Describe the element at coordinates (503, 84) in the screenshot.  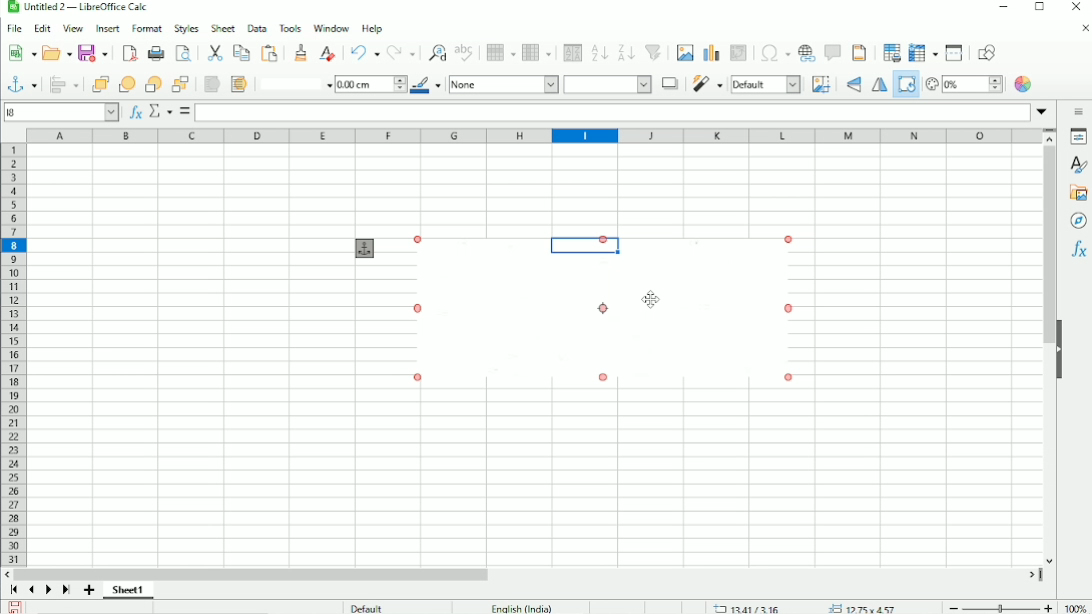
I see `None` at that location.